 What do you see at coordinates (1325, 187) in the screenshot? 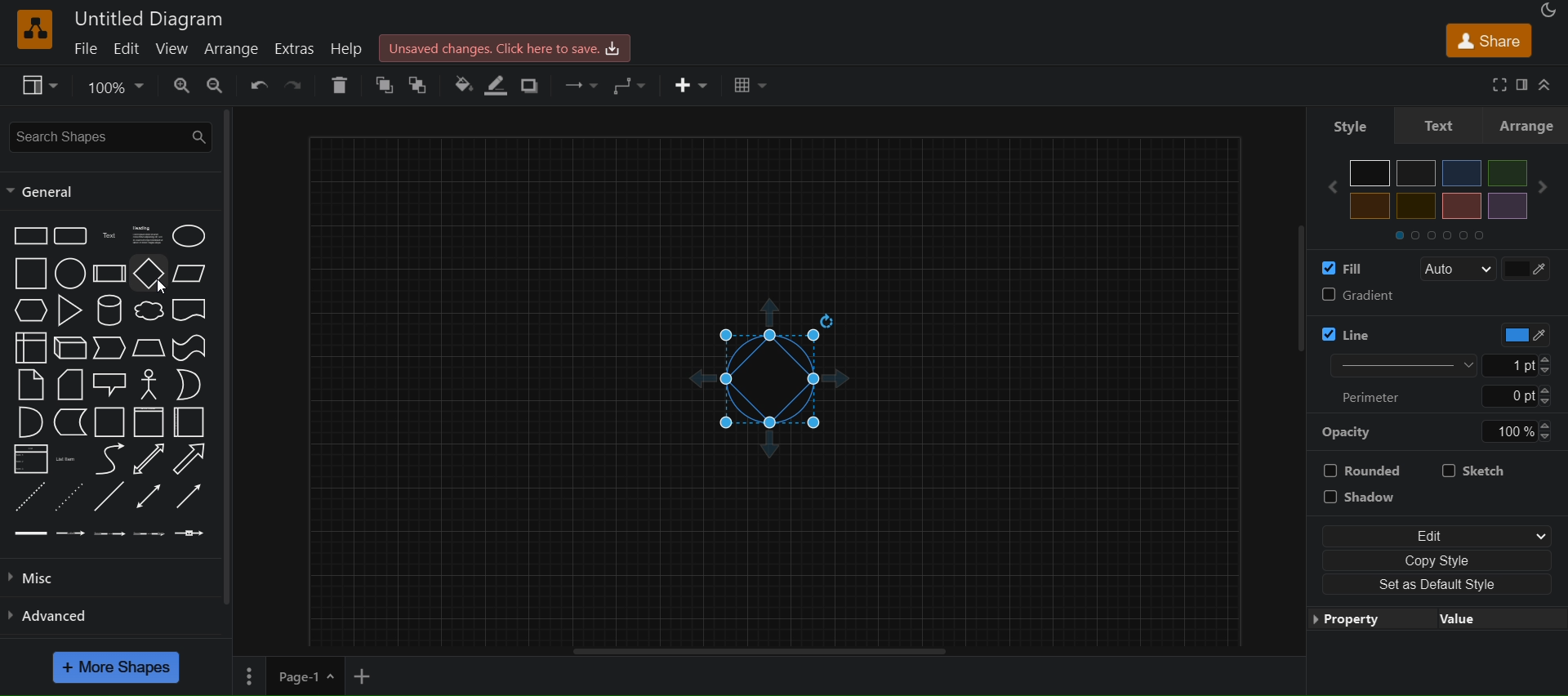
I see `previous` at bounding box center [1325, 187].